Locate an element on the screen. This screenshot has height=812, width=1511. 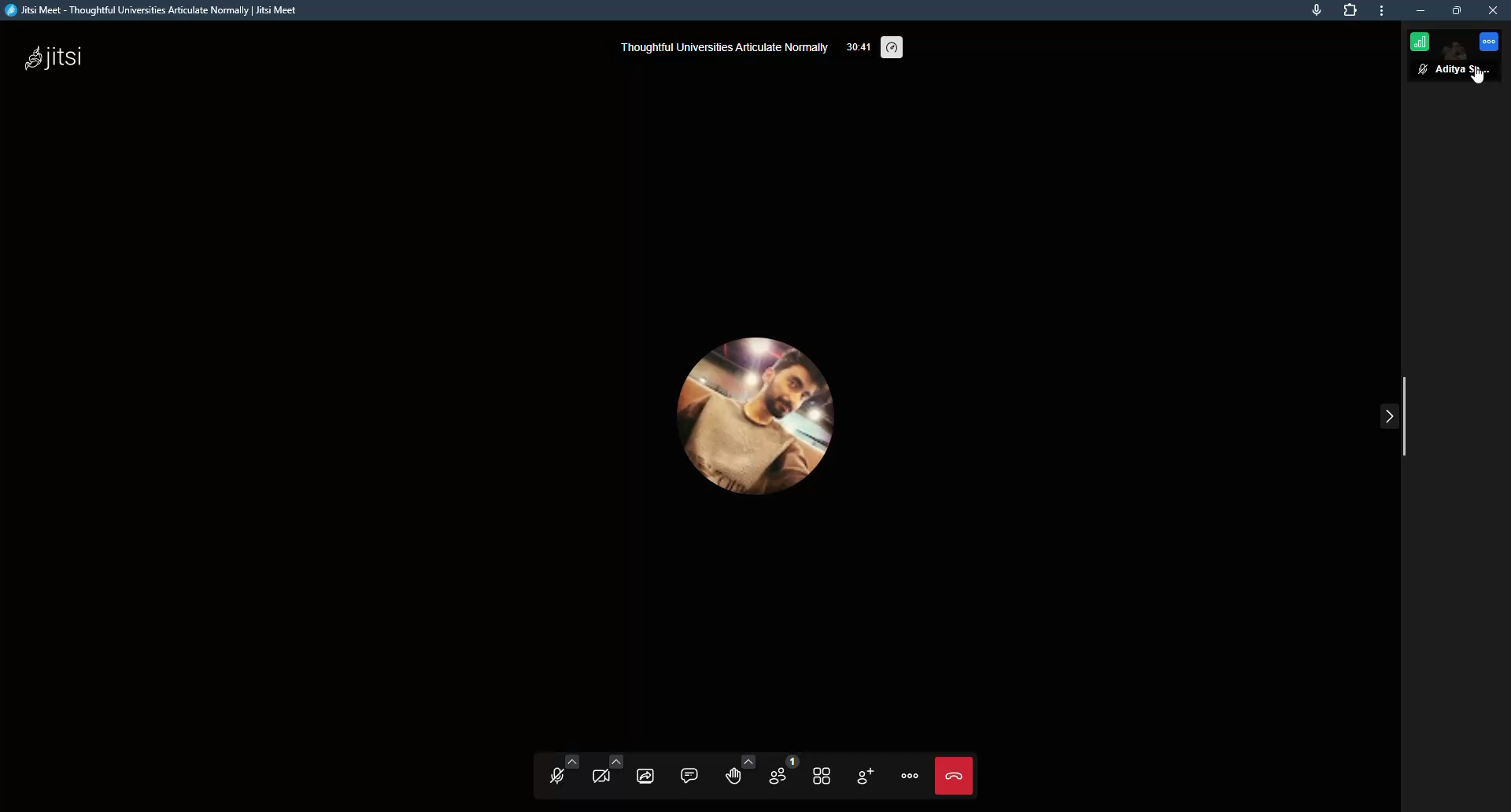
performance settings is located at coordinates (897, 45).